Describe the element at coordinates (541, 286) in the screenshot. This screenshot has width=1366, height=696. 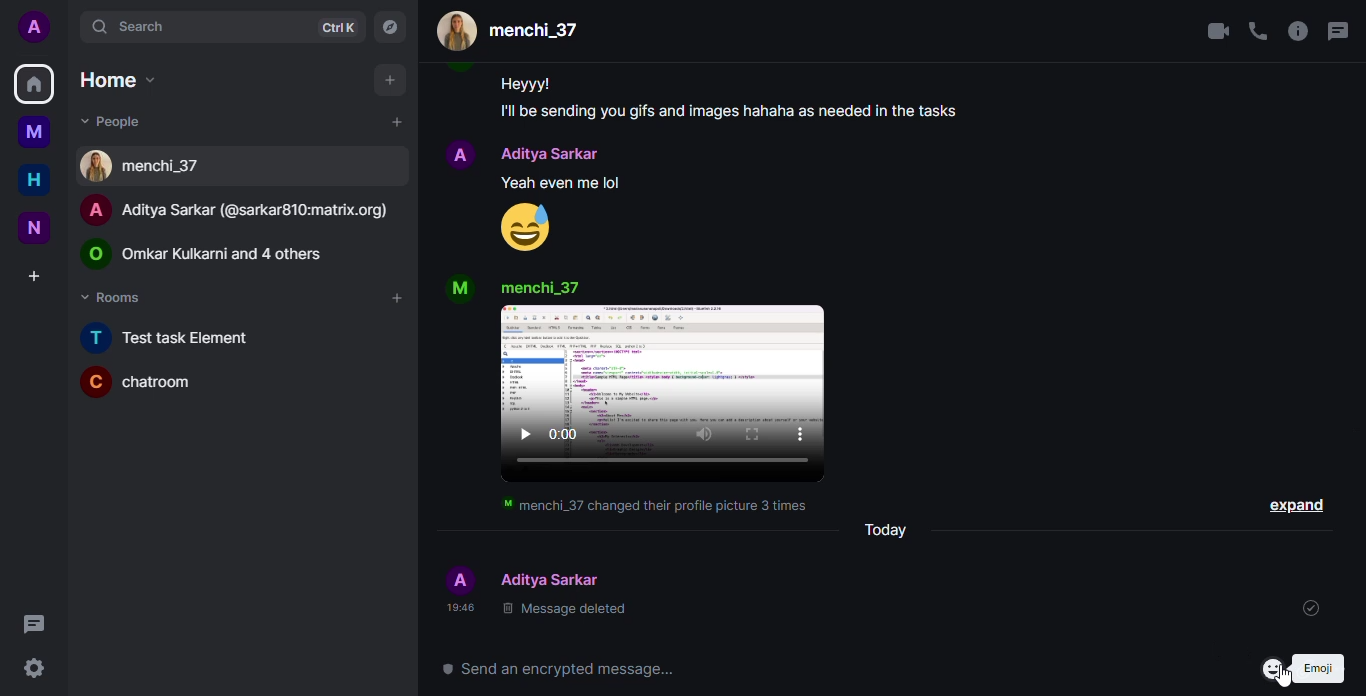
I see `people` at that location.